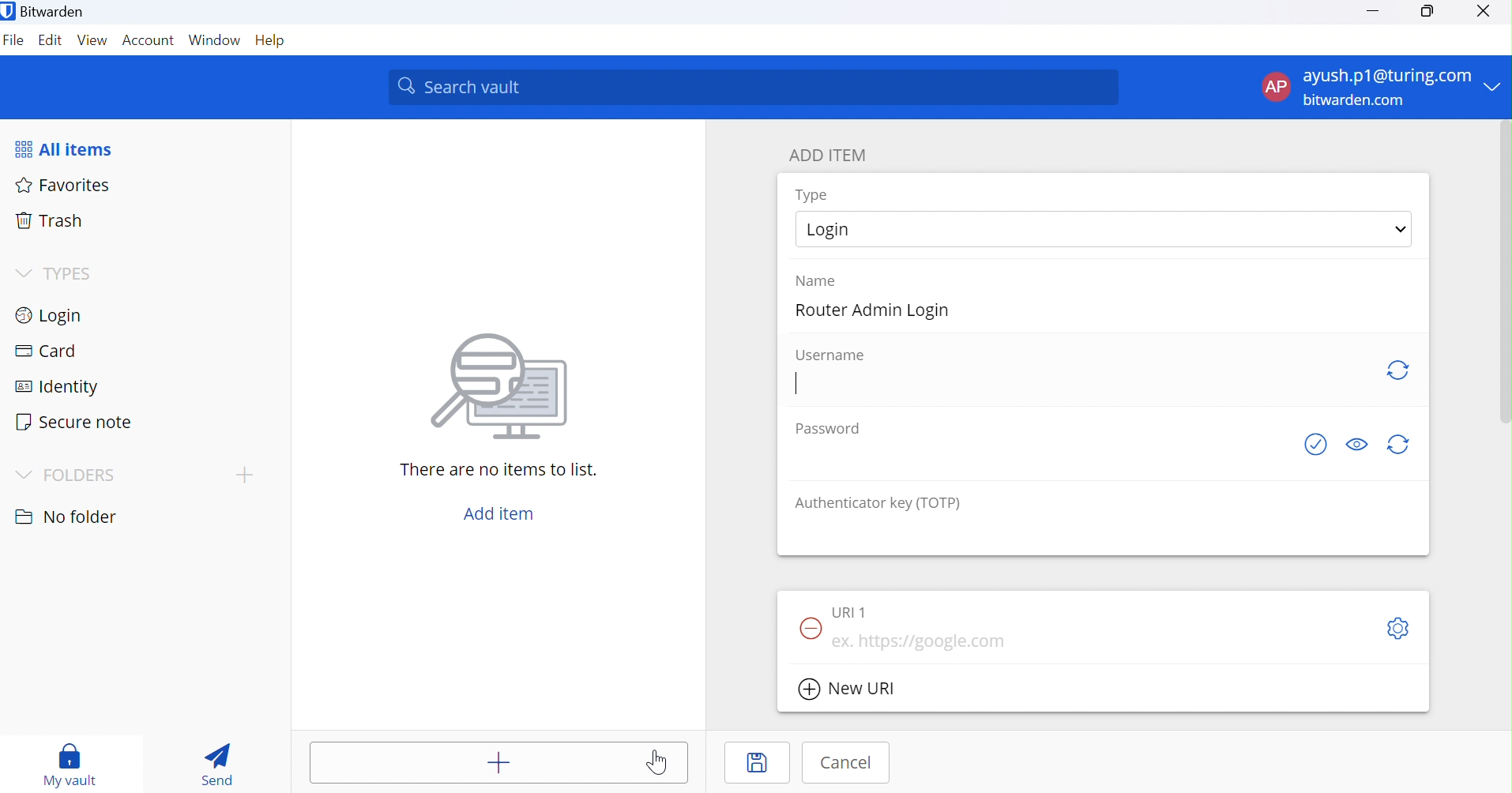 The width and height of the screenshot is (1512, 793). Describe the element at coordinates (1104, 228) in the screenshot. I see `select Login type` at that location.